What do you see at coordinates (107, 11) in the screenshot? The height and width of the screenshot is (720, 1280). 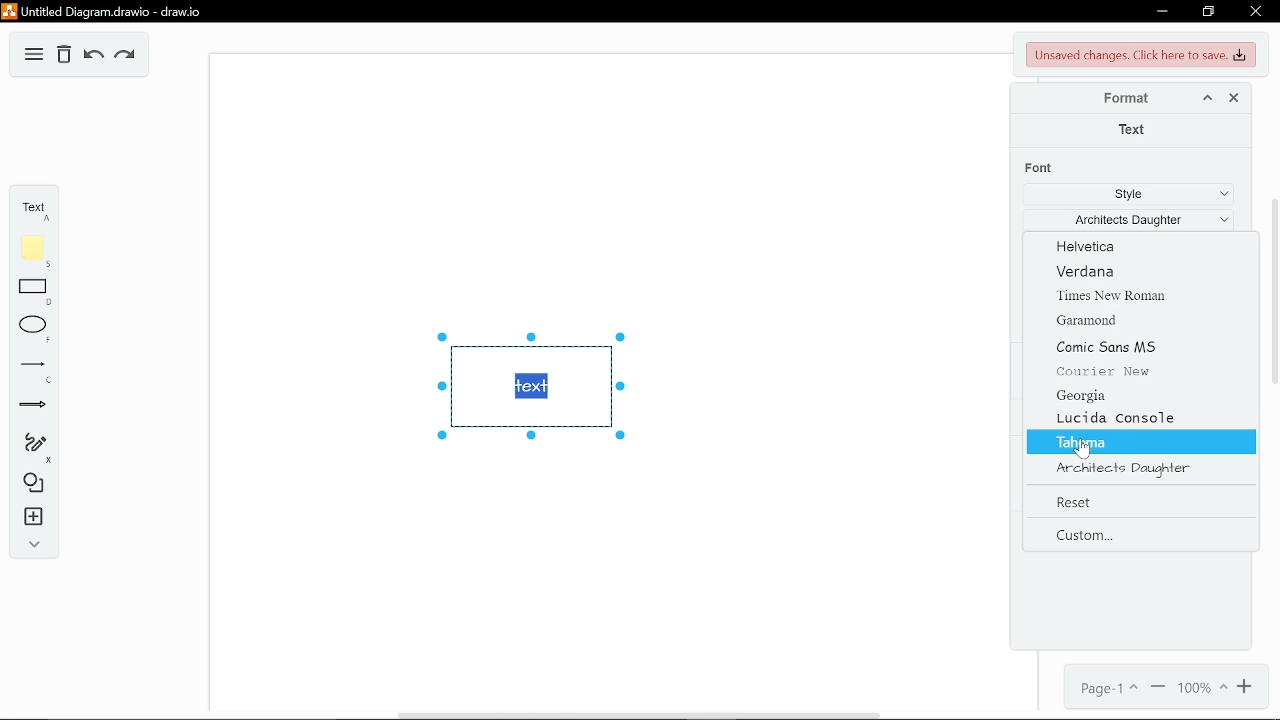 I see `current window` at bounding box center [107, 11].